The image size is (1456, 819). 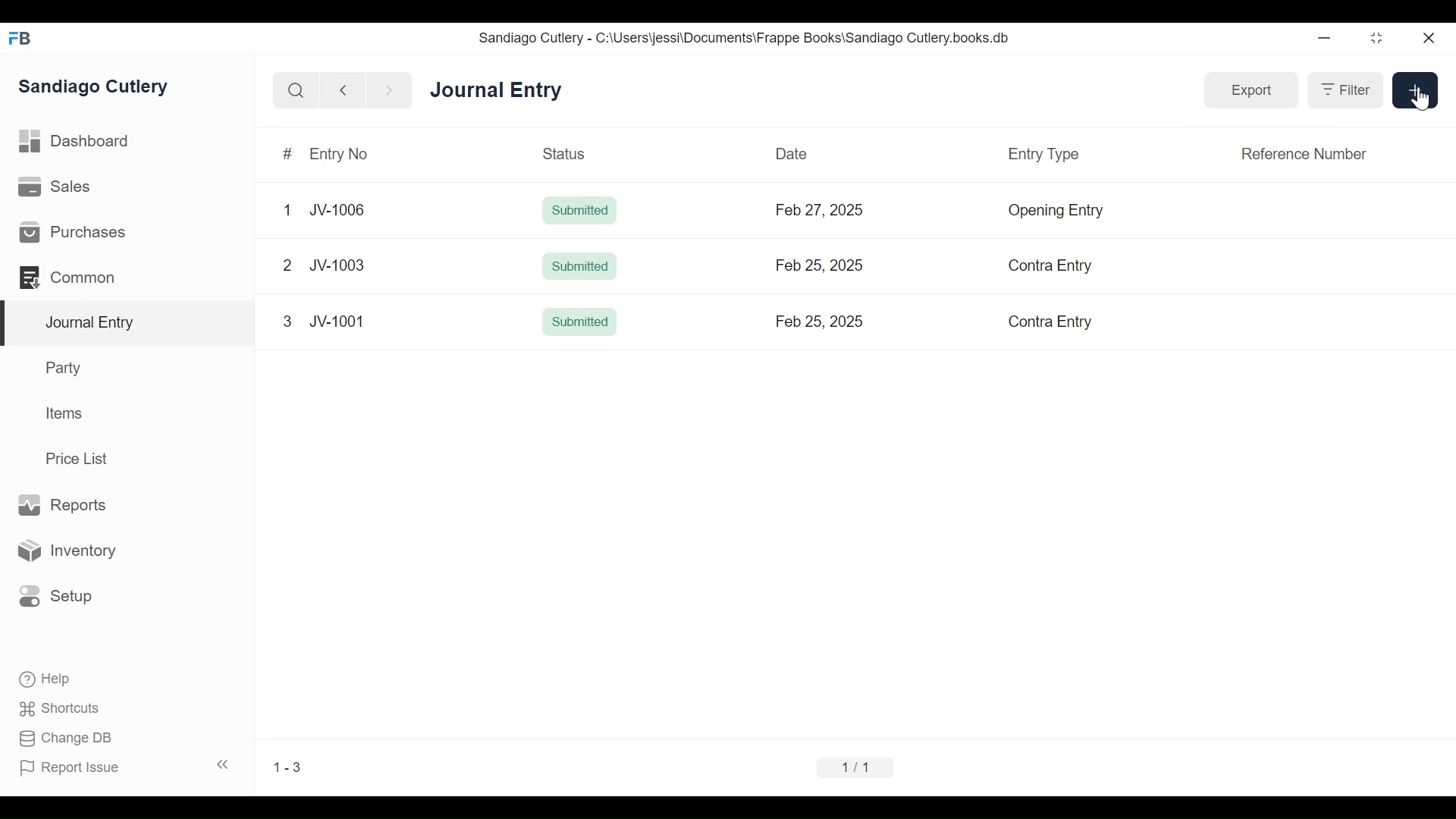 I want to click on 3, so click(x=286, y=322).